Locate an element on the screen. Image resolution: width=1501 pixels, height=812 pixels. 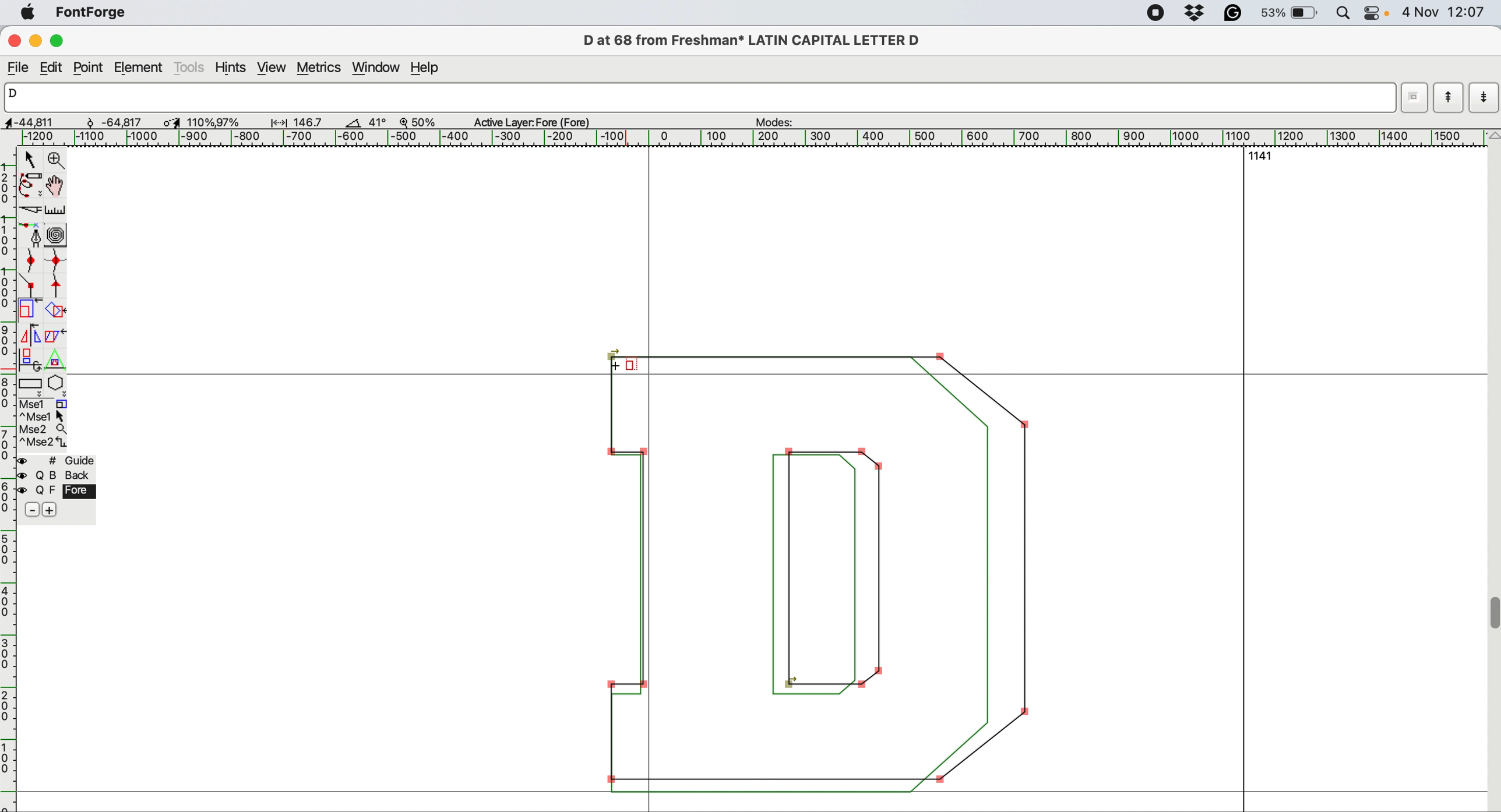
dimensions is located at coordinates (172, 122).